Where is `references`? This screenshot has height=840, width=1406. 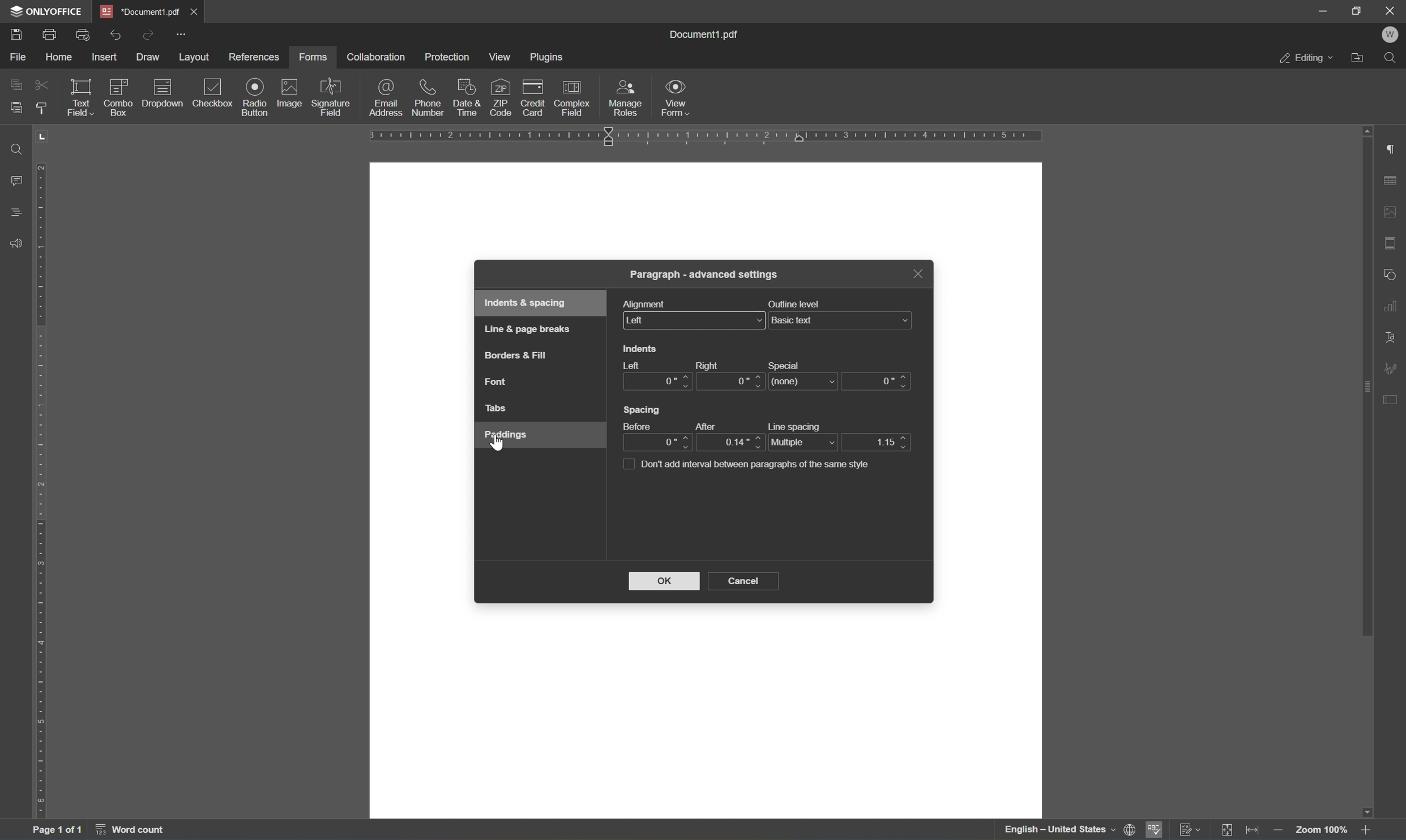 references is located at coordinates (253, 58).